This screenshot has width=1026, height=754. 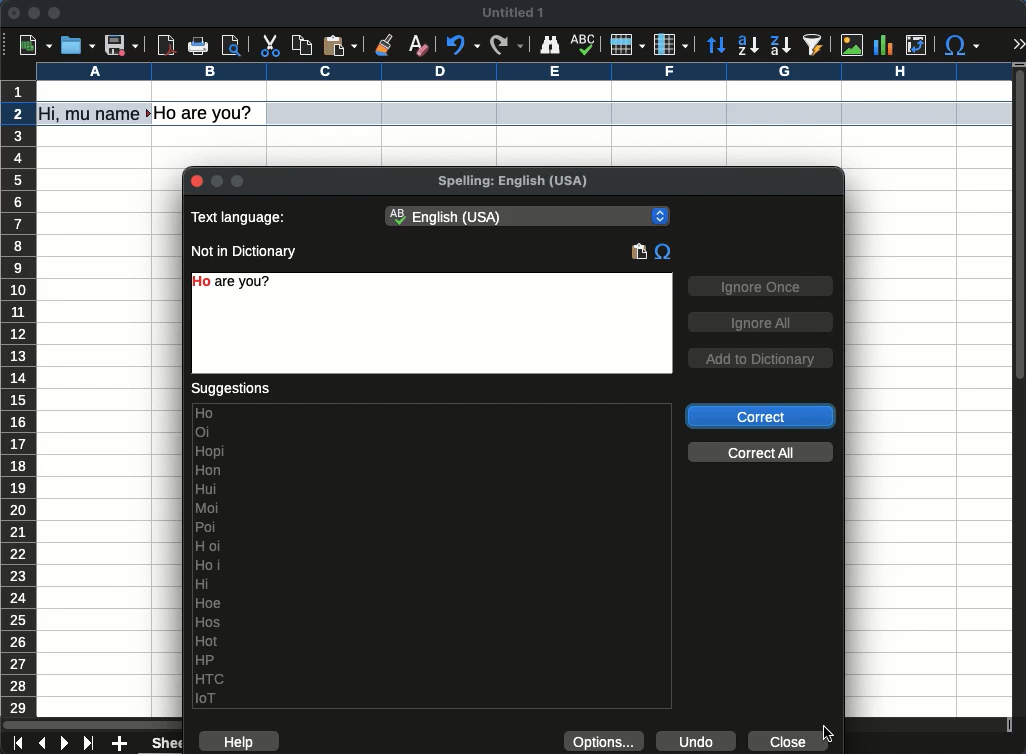 I want to click on Poi, so click(x=207, y=527).